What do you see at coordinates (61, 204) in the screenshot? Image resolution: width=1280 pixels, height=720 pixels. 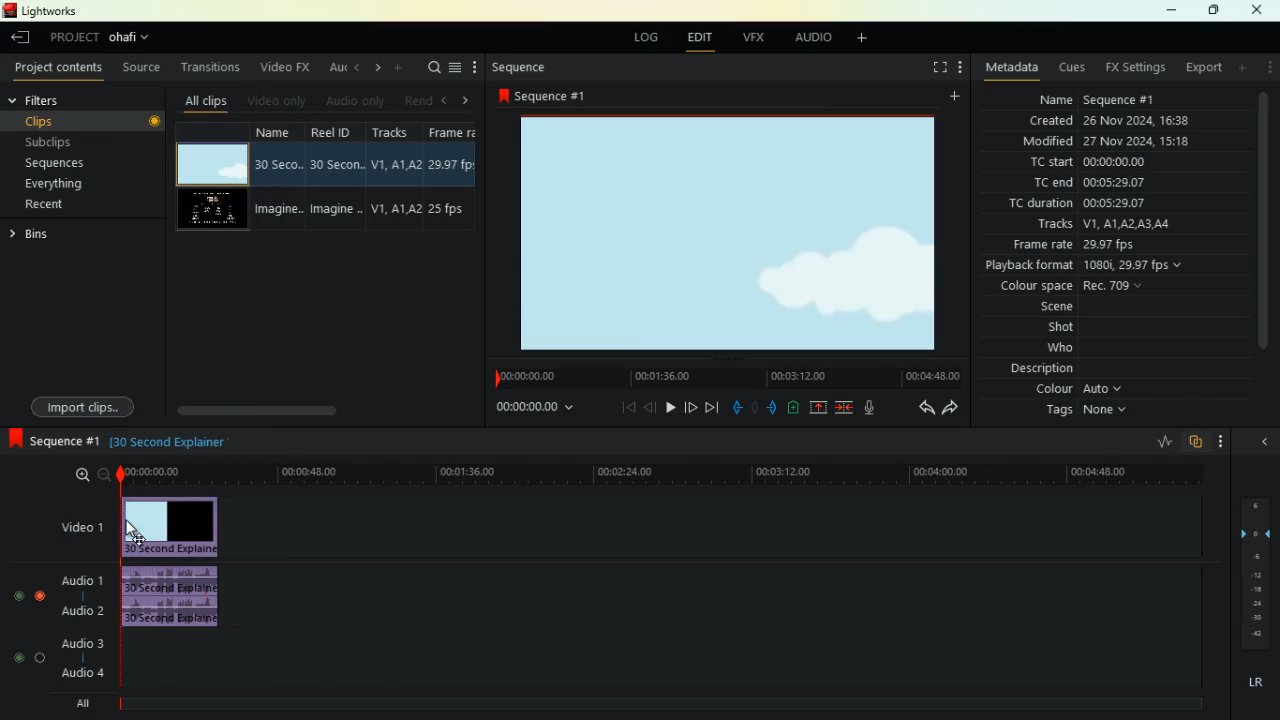 I see `recent` at bounding box center [61, 204].